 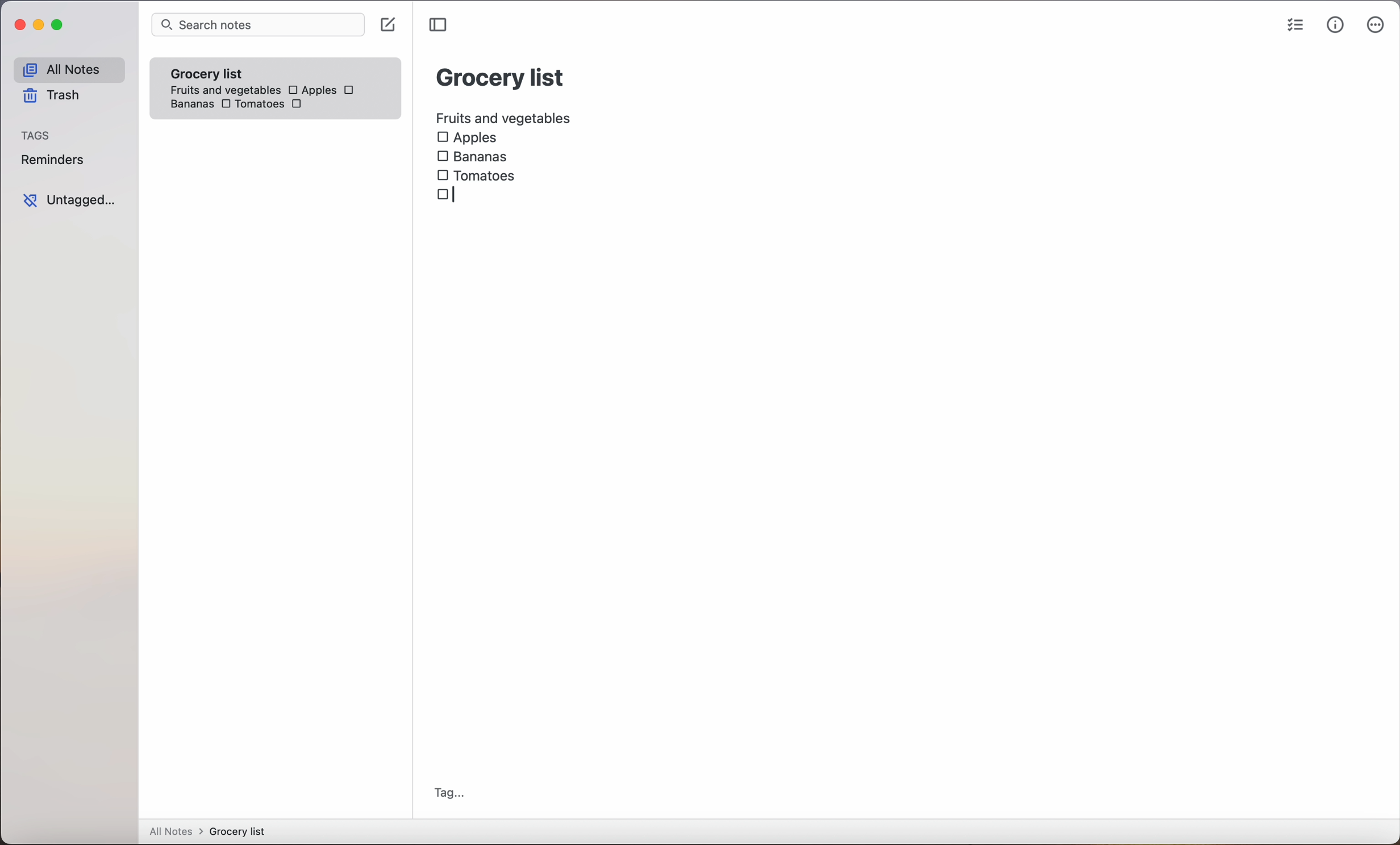 I want to click on fruits and vegetables, so click(x=505, y=116).